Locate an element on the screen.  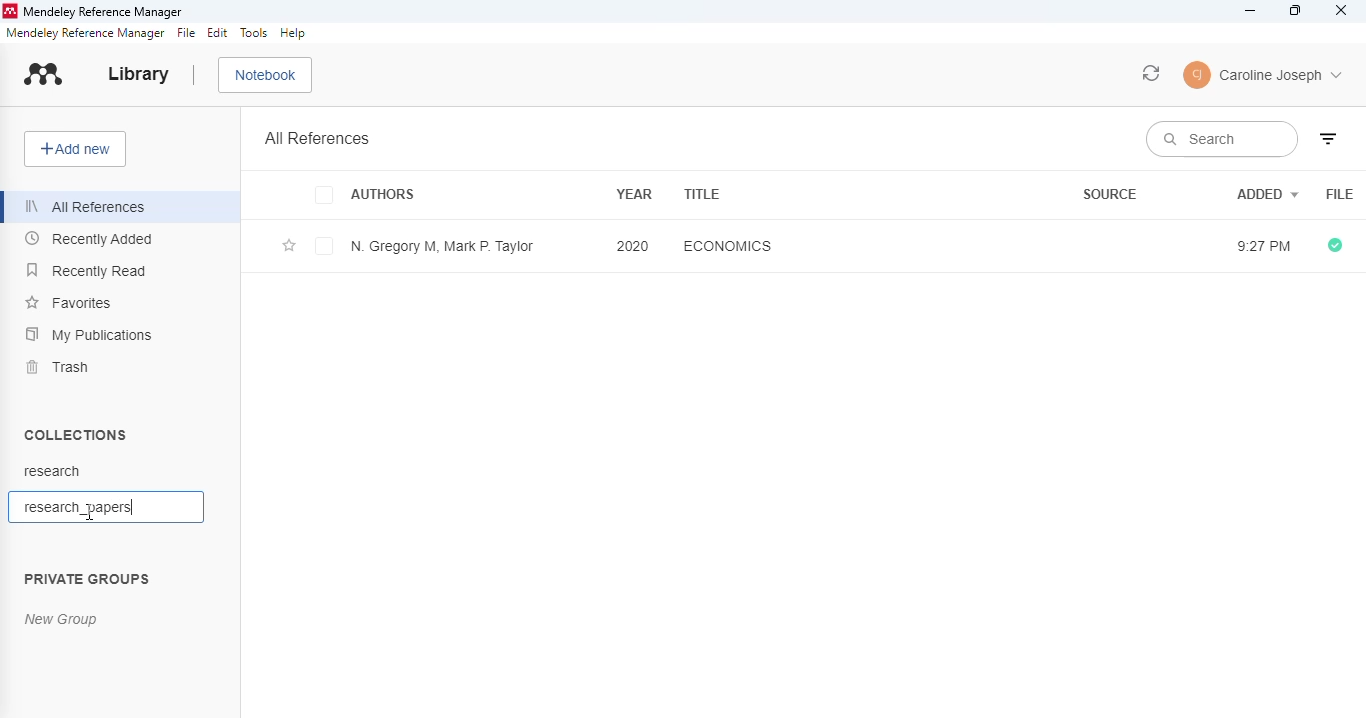
file is located at coordinates (187, 33).